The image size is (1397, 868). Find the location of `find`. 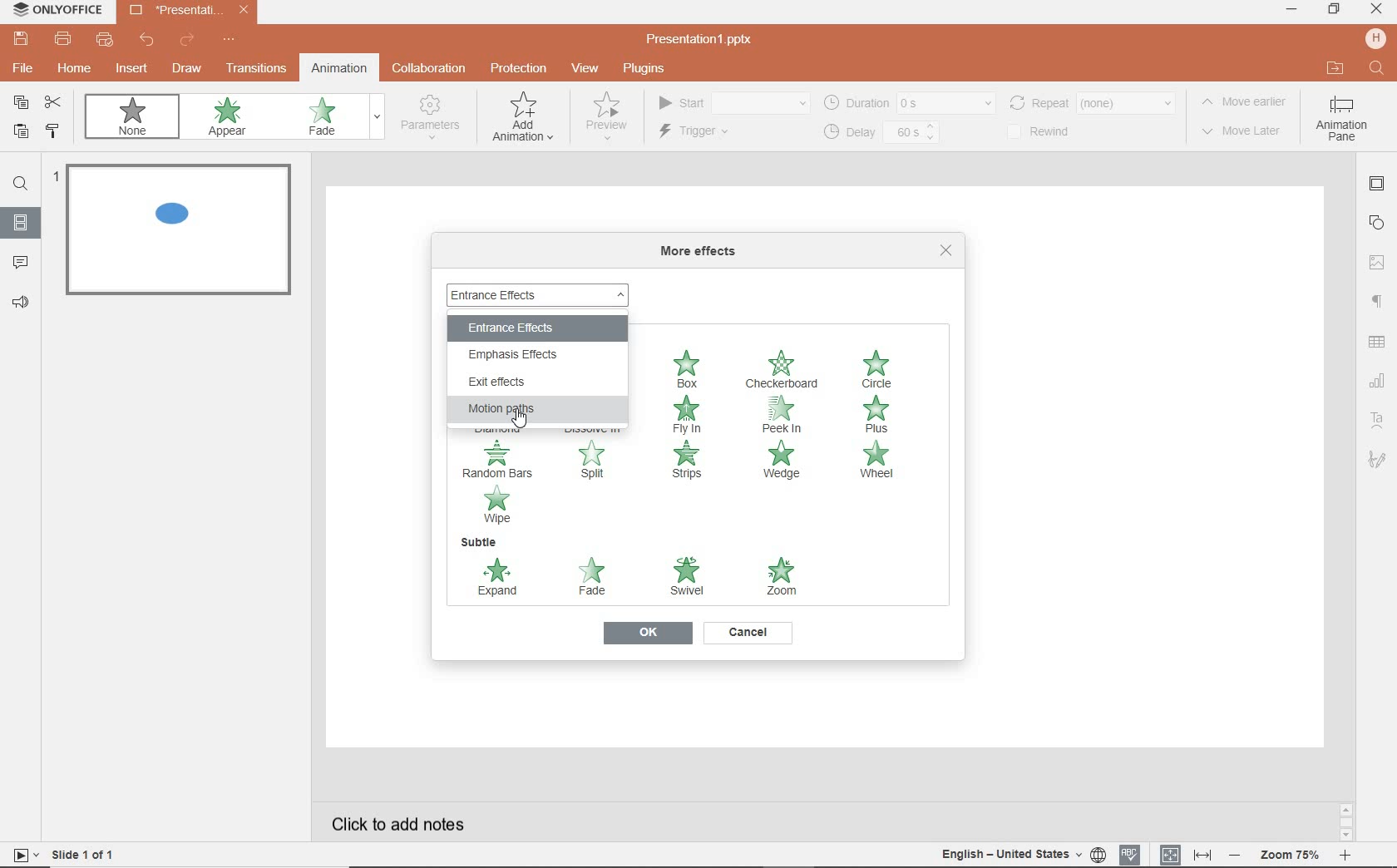

find is located at coordinates (21, 186).